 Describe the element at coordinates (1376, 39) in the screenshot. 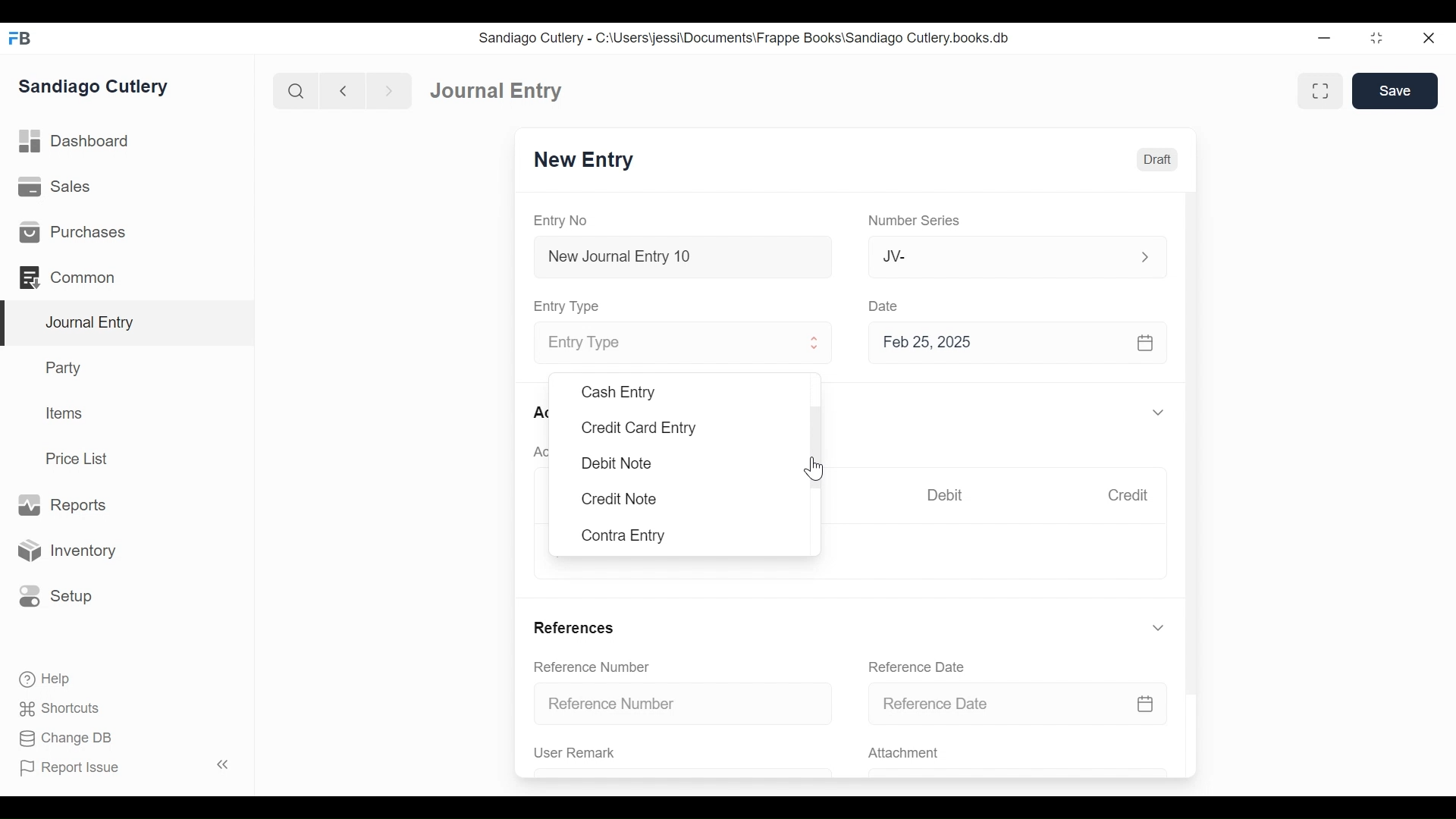

I see `Restore` at that location.